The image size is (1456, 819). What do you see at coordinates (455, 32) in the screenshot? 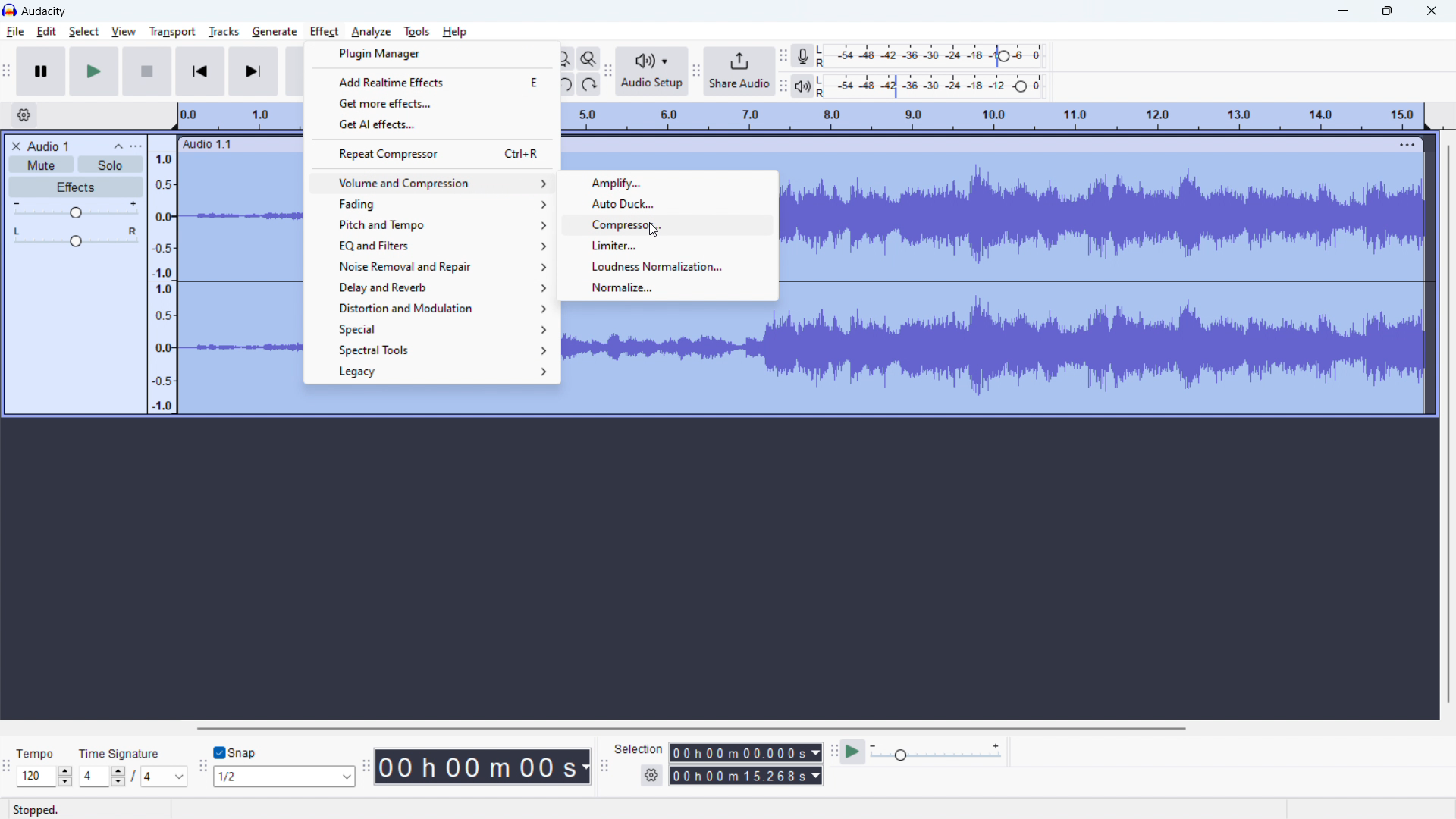
I see `help` at bounding box center [455, 32].